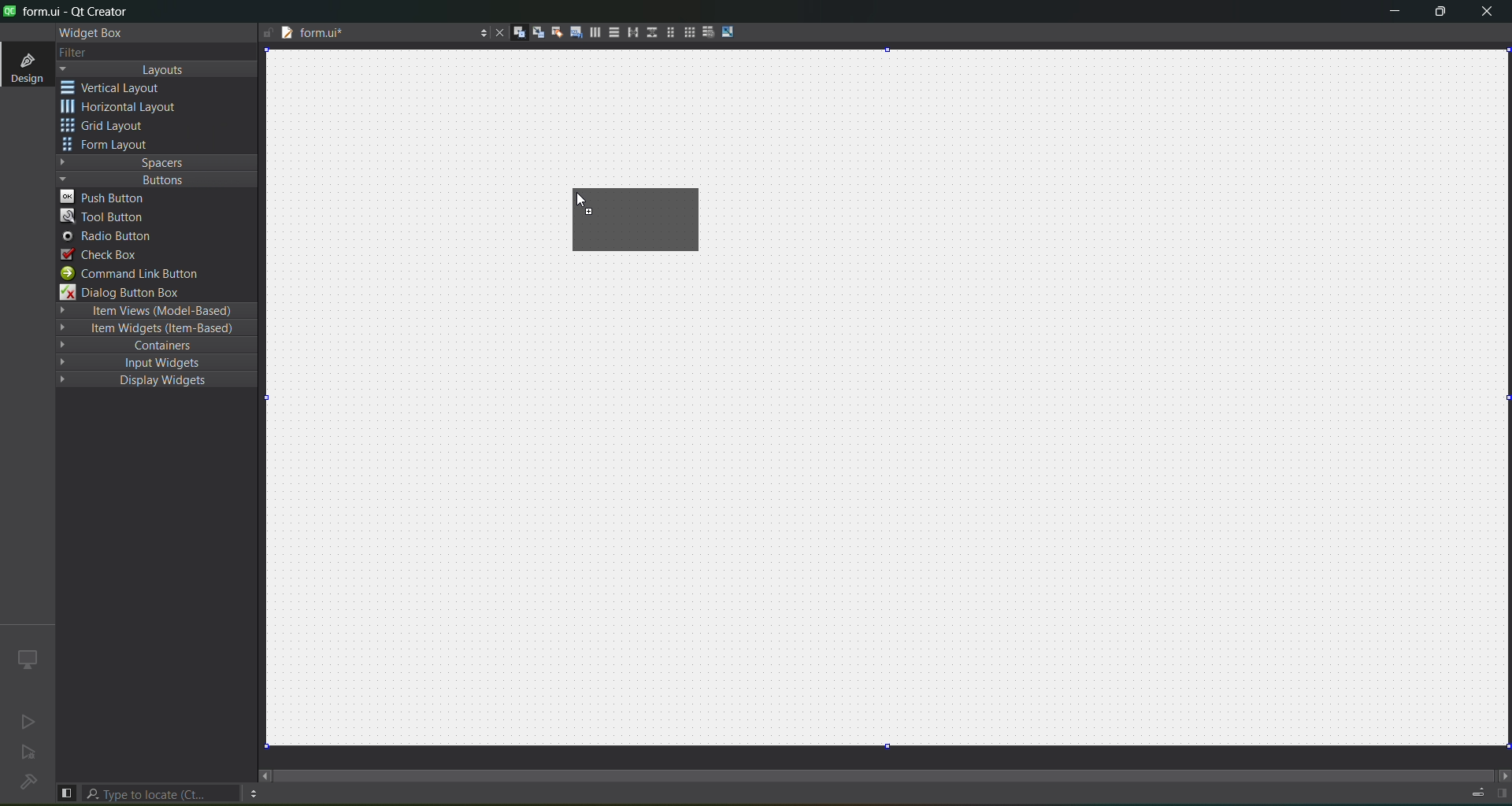  Describe the element at coordinates (480, 31) in the screenshot. I see `options` at that location.